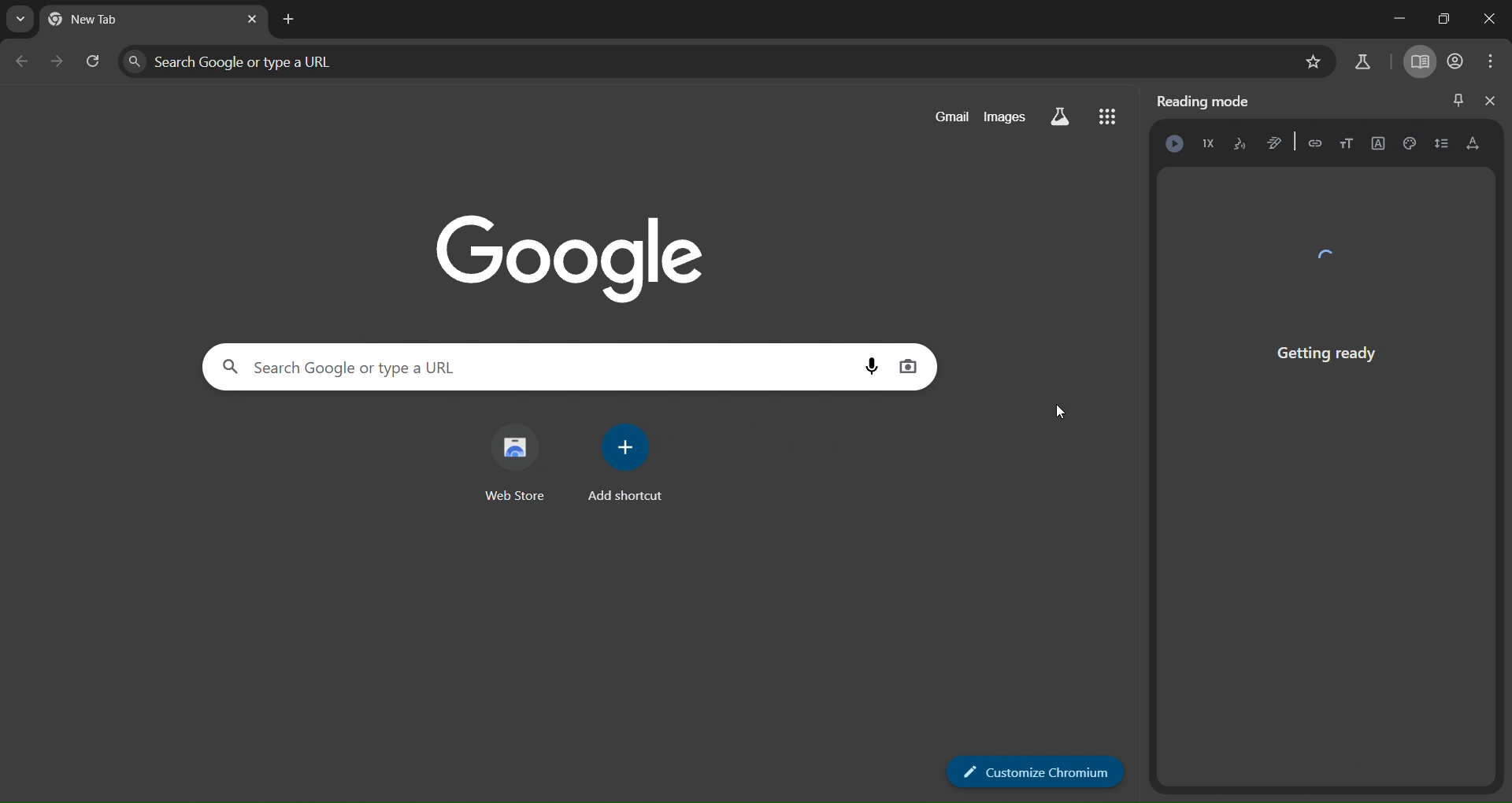 This screenshot has height=803, width=1512. I want to click on turnoff highlight, so click(1276, 142).